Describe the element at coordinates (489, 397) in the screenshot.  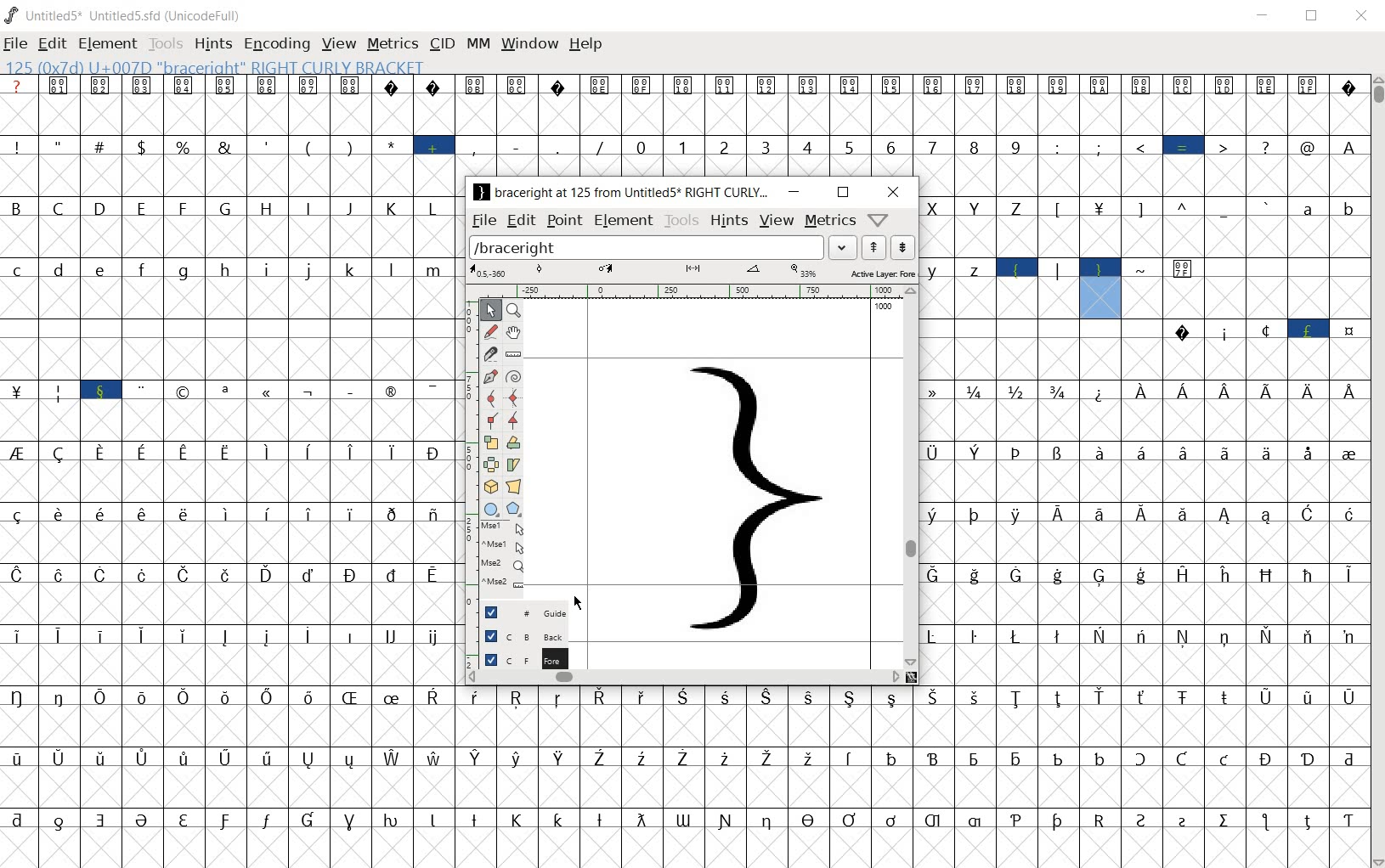
I see `add a curve point always either horizontal or vertical` at that location.